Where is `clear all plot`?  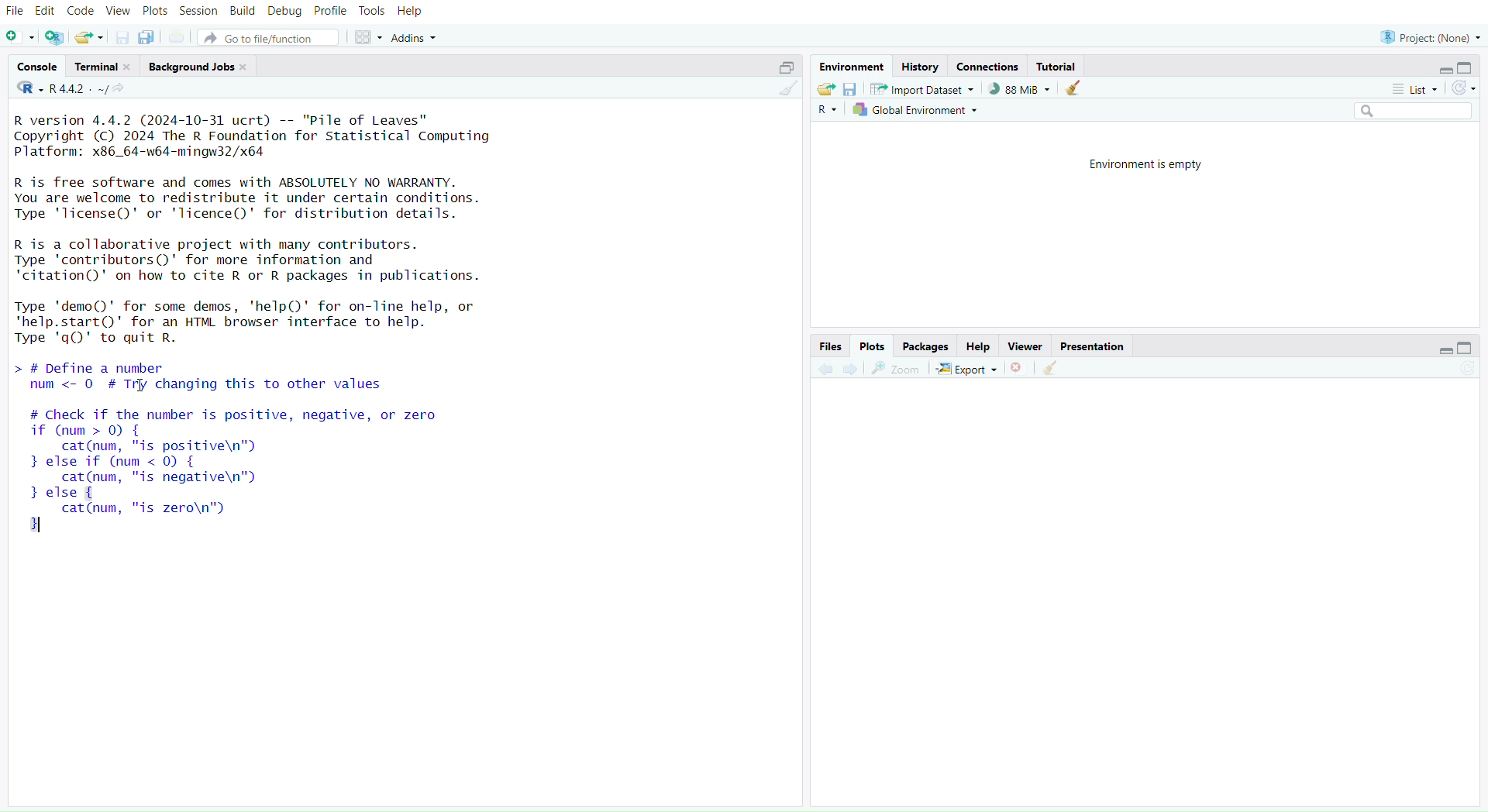
clear all plot is located at coordinates (1052, 368).